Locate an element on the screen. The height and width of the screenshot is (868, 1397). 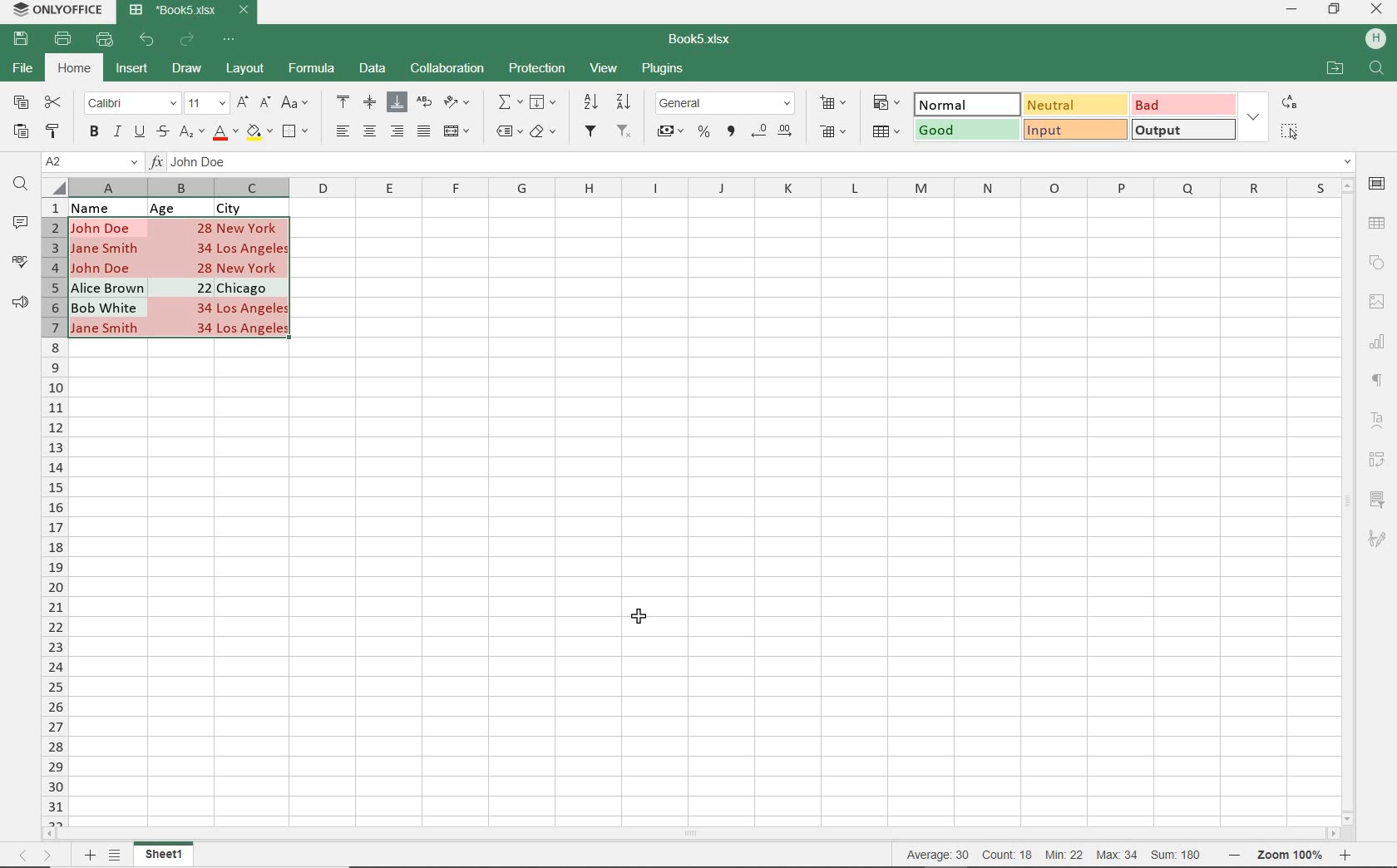
FEEDBACK & SUPPORT is located at coordinates (21, 302).